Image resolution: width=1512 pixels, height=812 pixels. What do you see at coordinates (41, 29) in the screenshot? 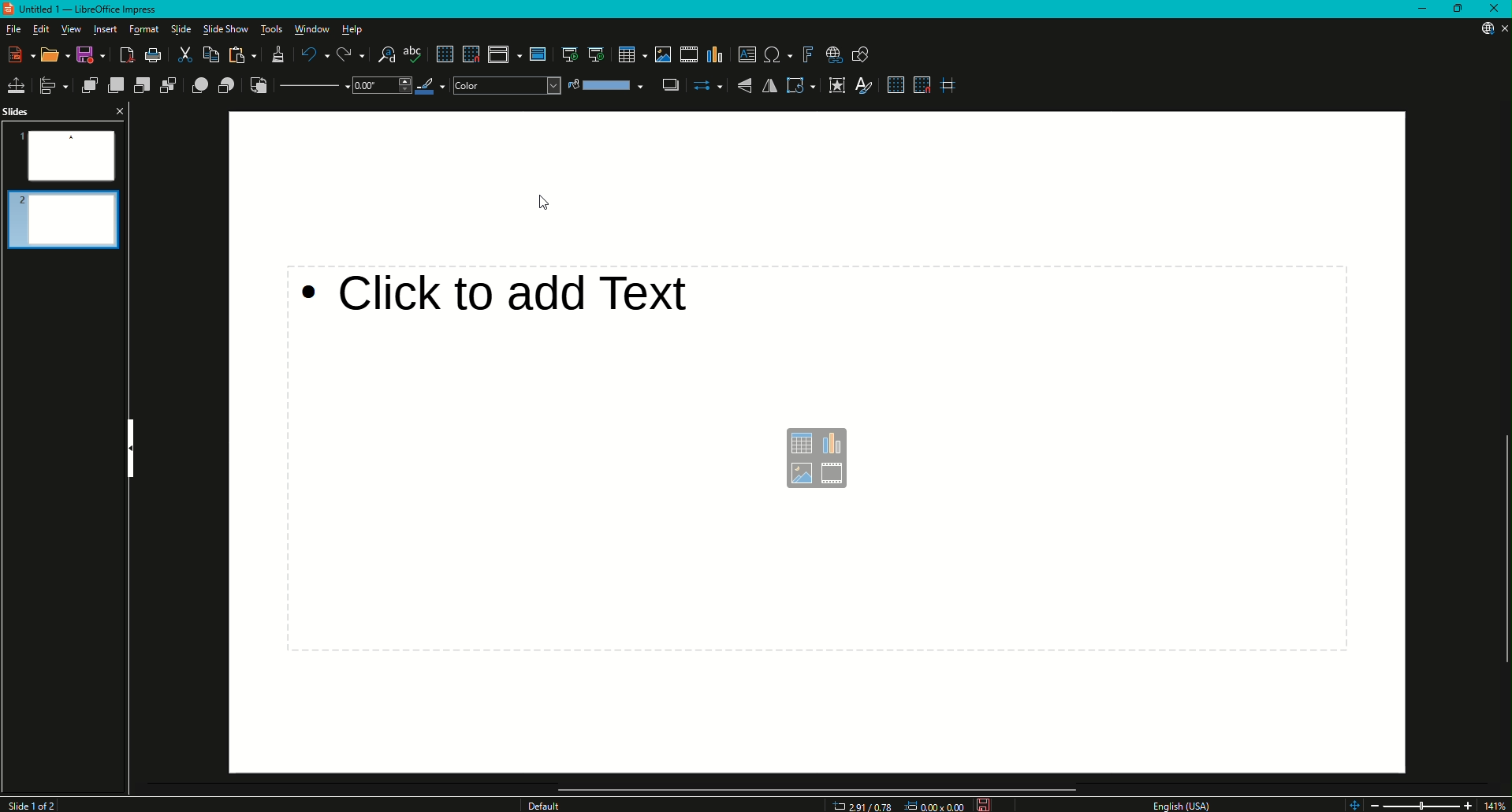
I see `Edit` at bounding box center [41, 29].